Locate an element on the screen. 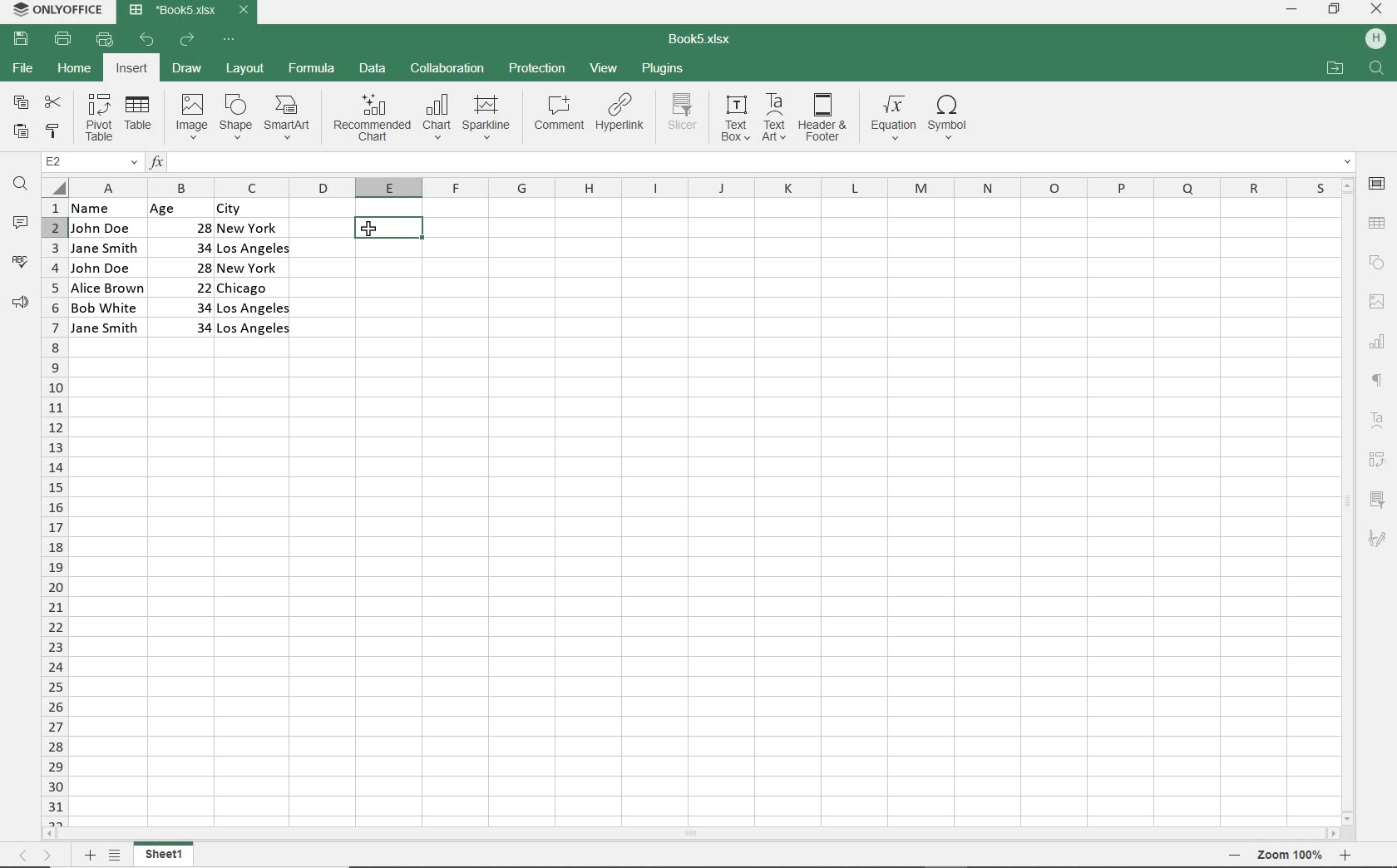 This screenshot has height=868, width=1397. Los Angeles is located at coordinates (253, 250).